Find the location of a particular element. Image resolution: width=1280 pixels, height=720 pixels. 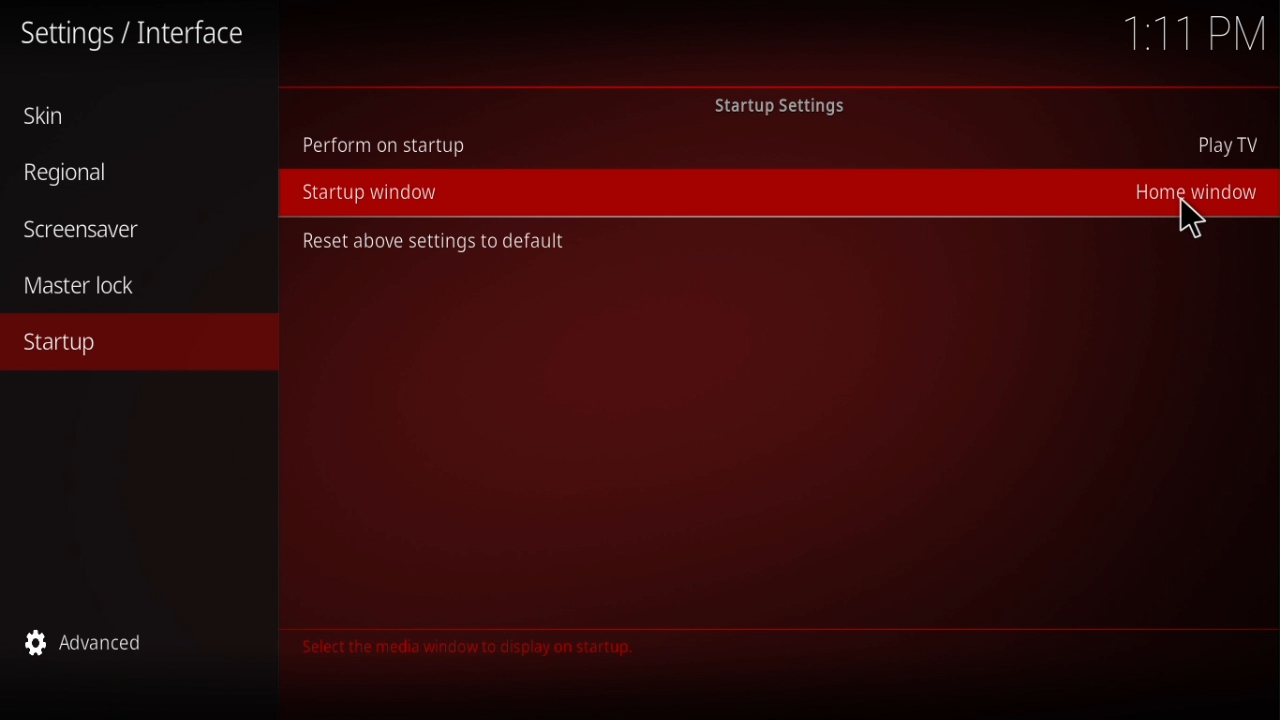

screensaver is located at coordinates (80, 225).